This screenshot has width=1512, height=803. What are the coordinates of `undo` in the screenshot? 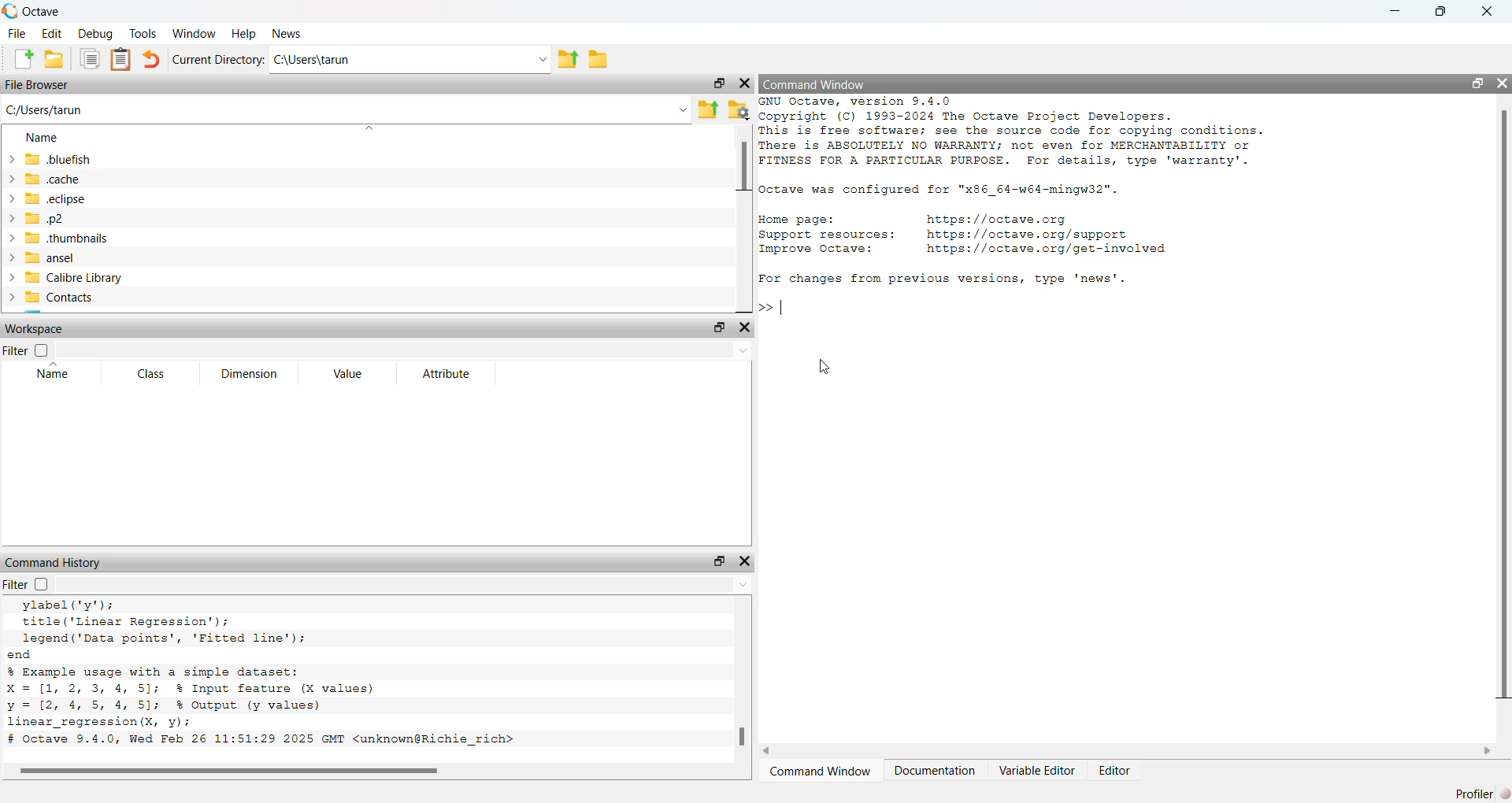 It's located at (154, 60).